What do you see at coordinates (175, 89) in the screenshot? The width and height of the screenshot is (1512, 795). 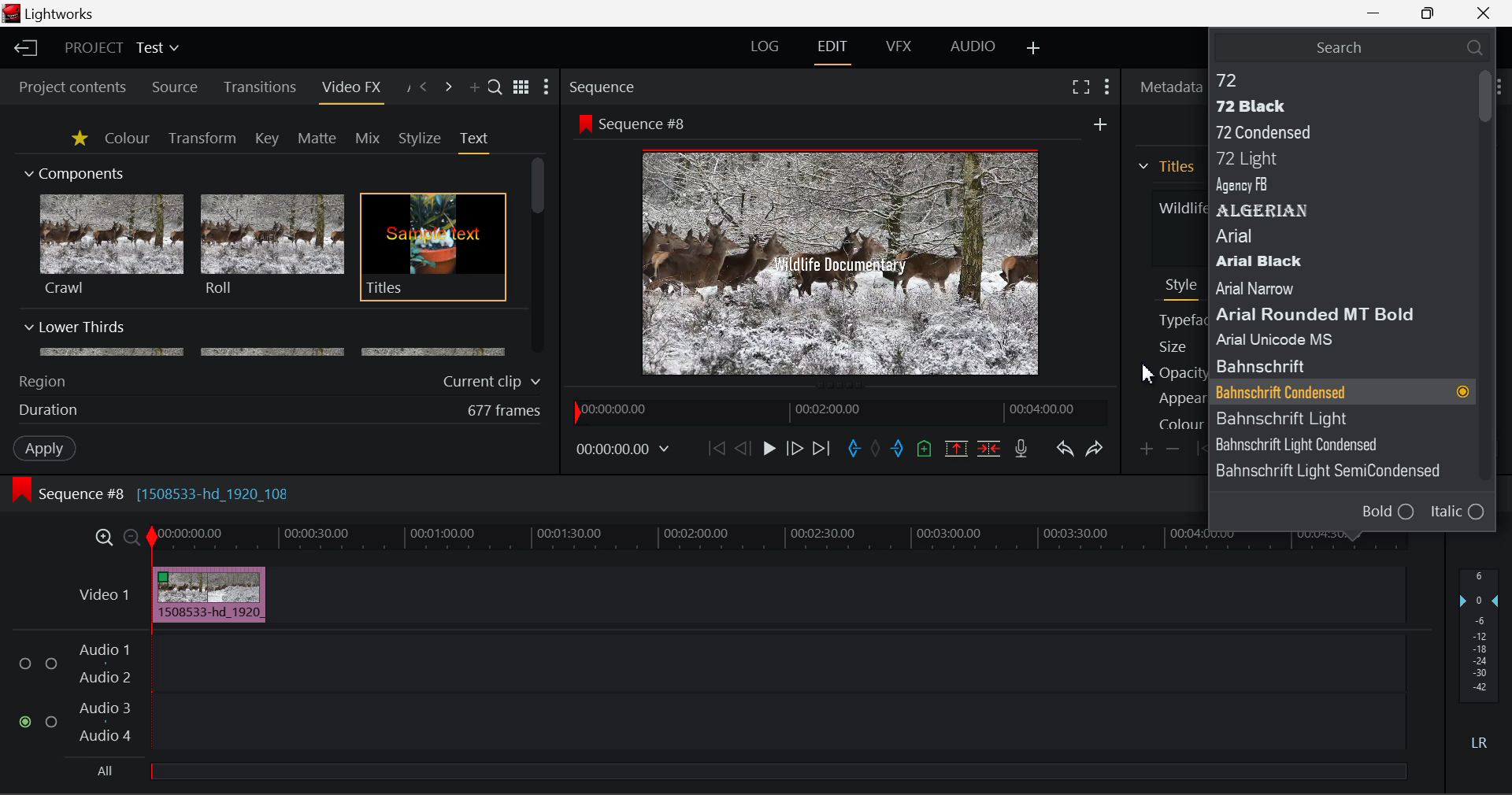 I see `Source` at bounding box center [175, 89].